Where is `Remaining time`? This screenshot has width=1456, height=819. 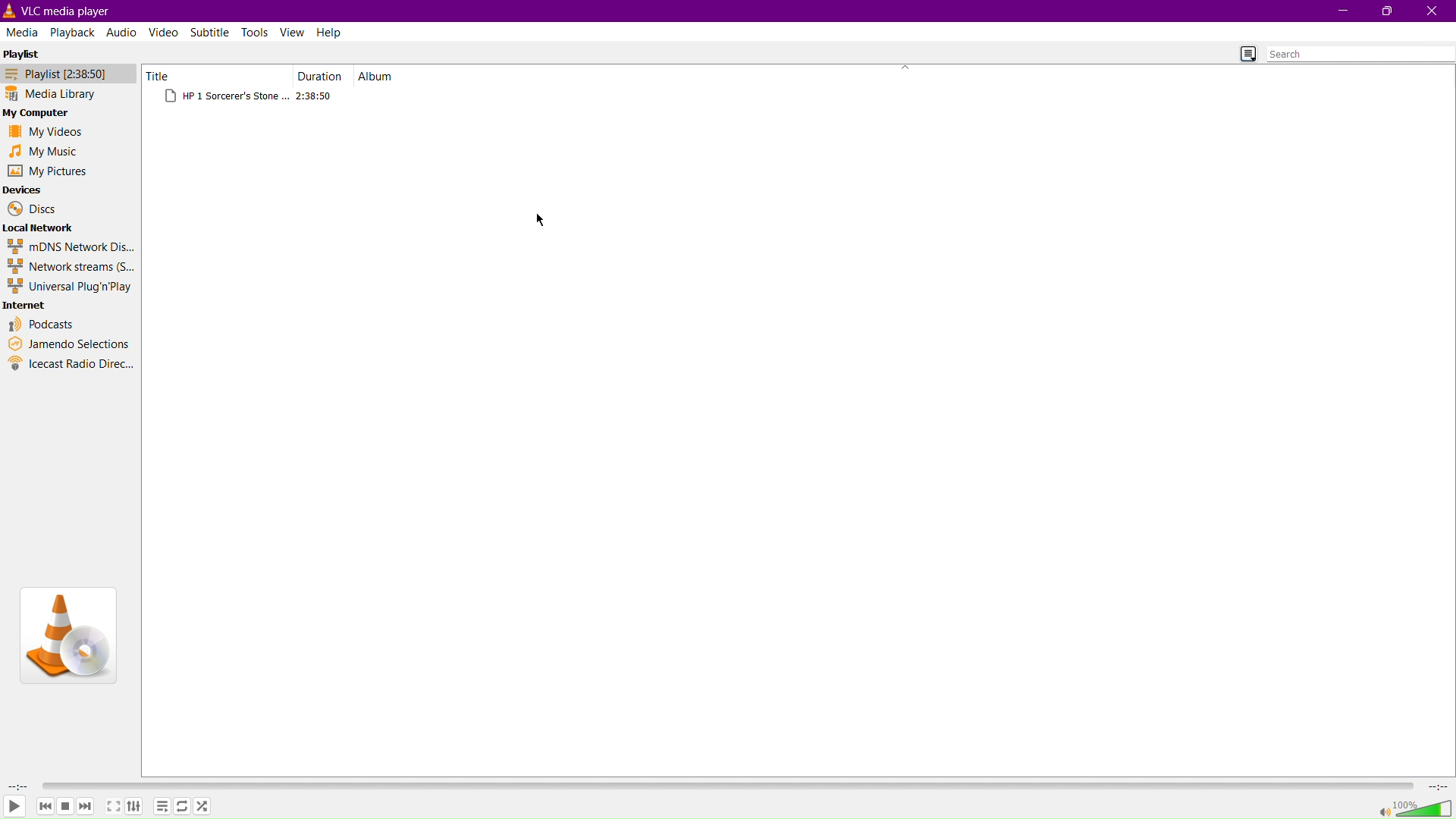 Remaining time is located at coordinates (1439, 786).